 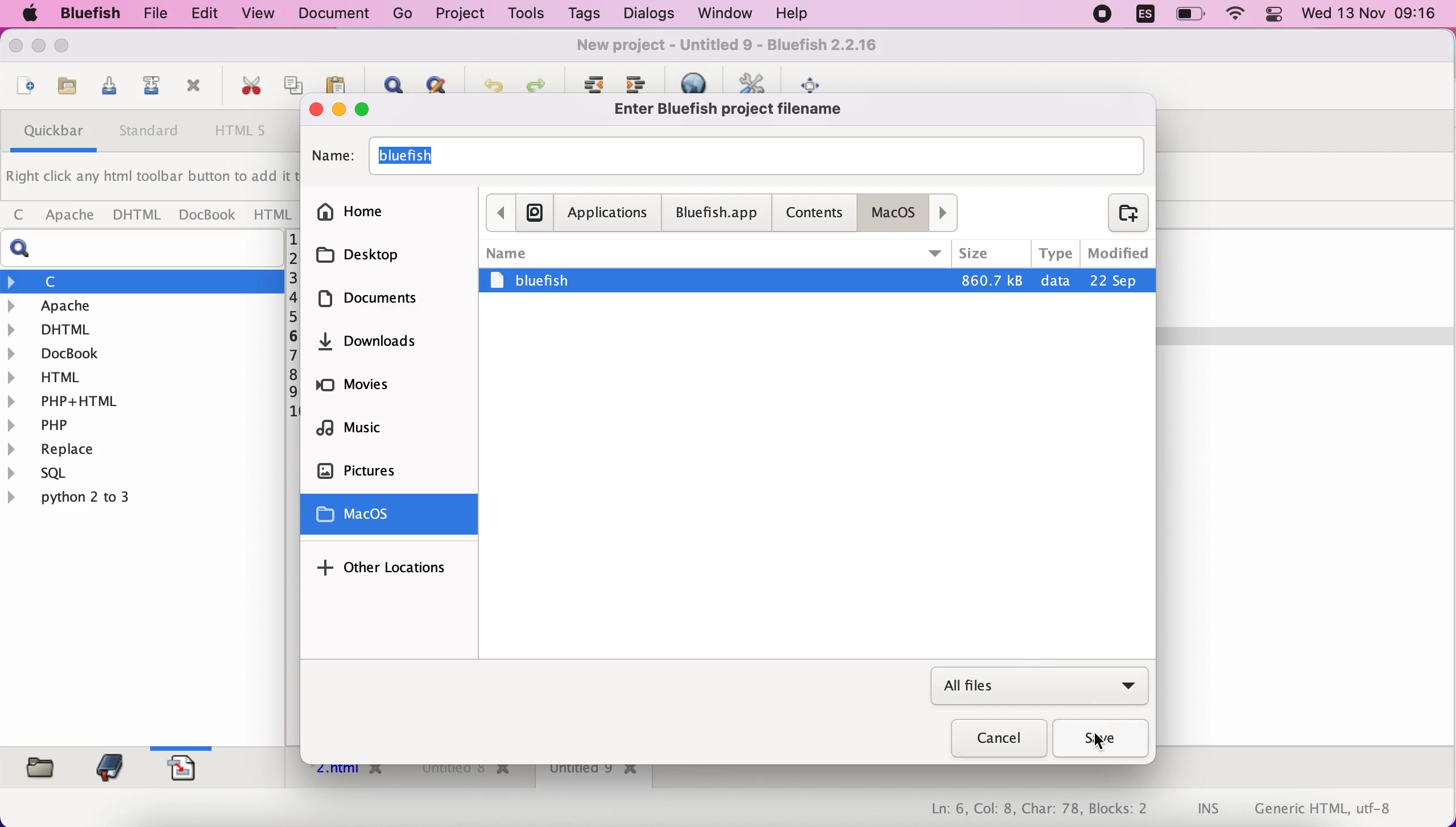 What do you see at coordinates (50, 134) in the screenshot?
I see `quickbar` at bounding box center [50, 134].